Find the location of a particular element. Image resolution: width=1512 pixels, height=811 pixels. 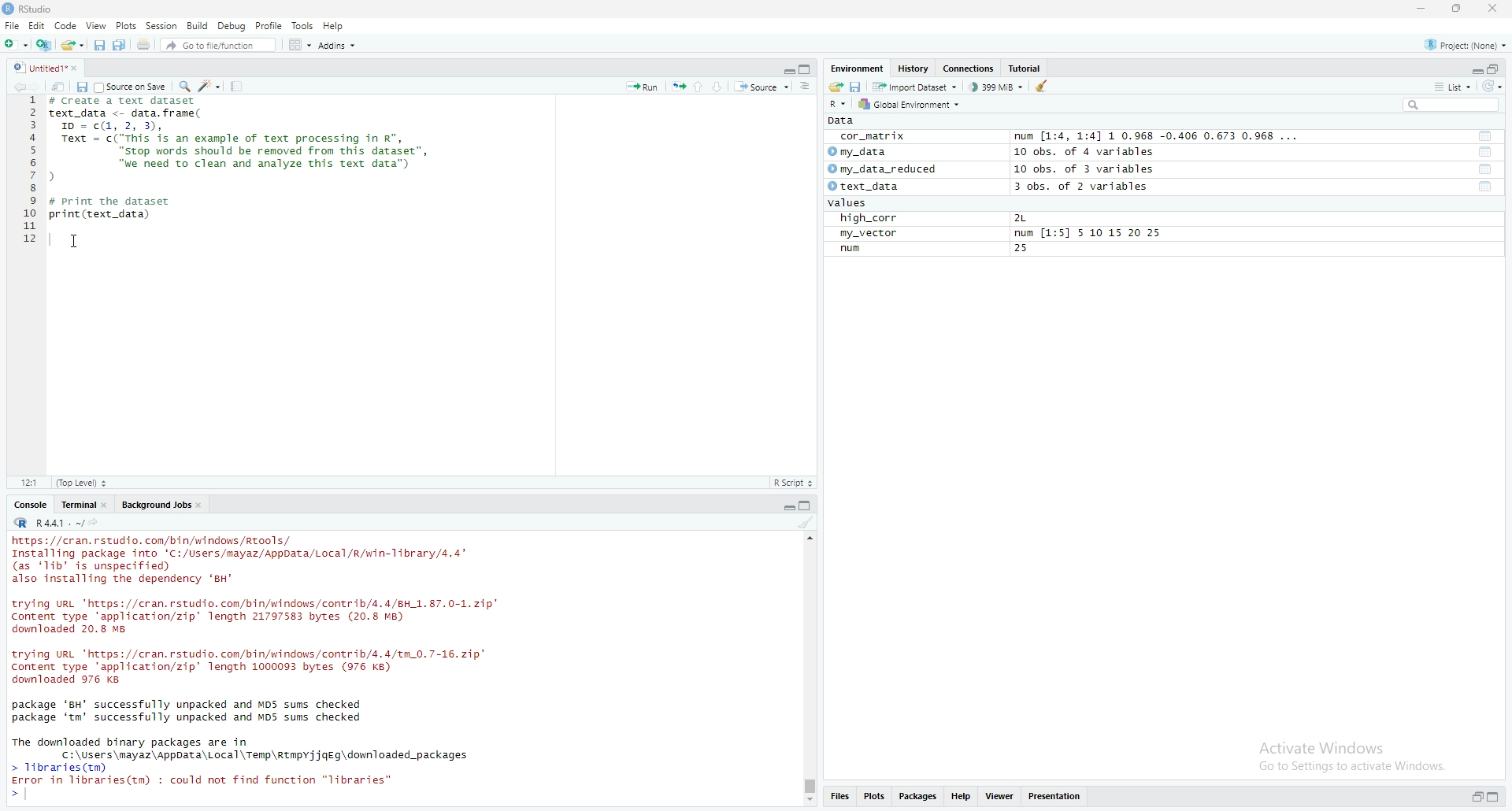

build is located at coordinates (198, 26).